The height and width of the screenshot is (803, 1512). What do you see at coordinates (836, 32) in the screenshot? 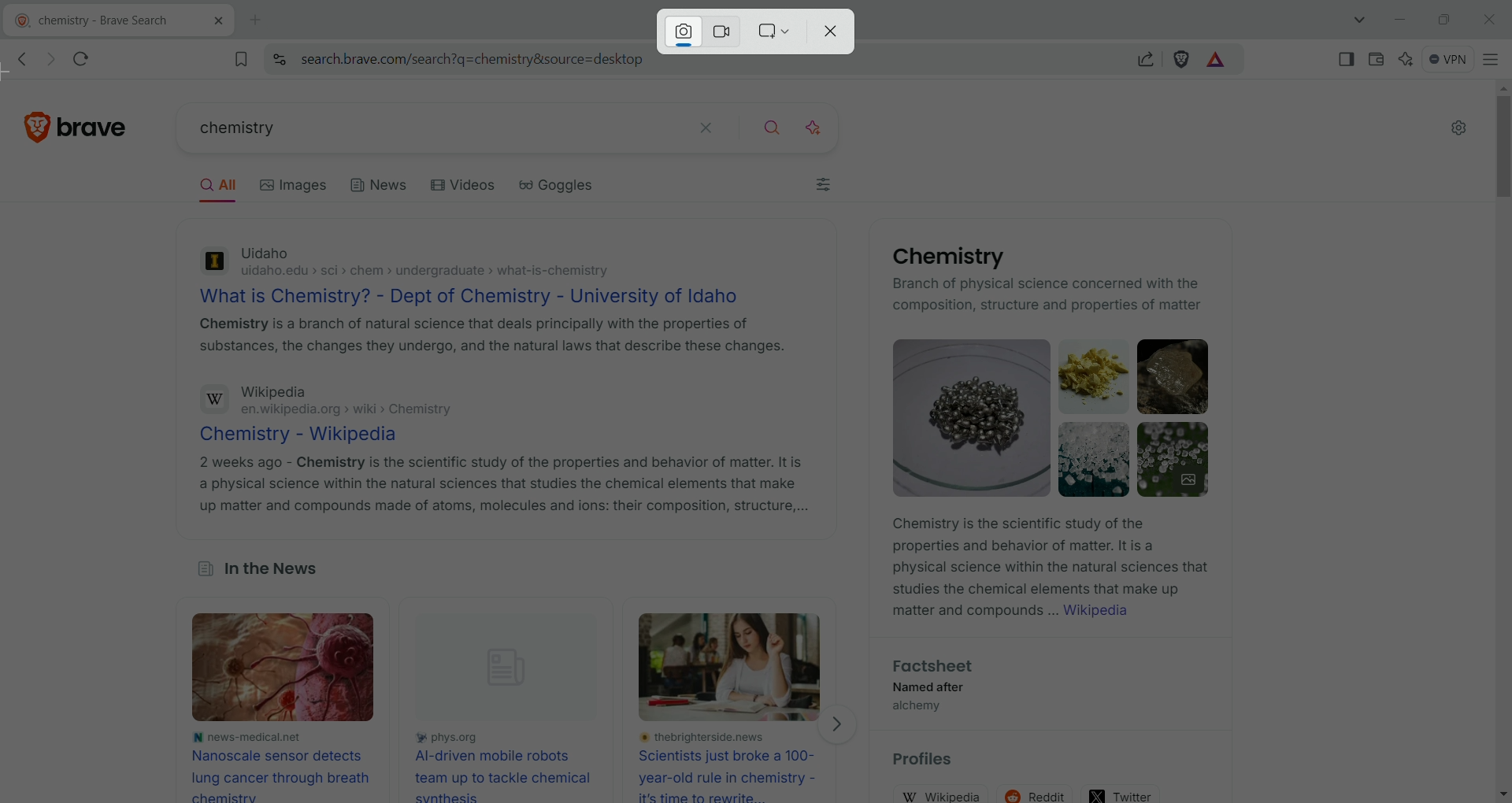
I see `close` at bounding box center [836, 32].